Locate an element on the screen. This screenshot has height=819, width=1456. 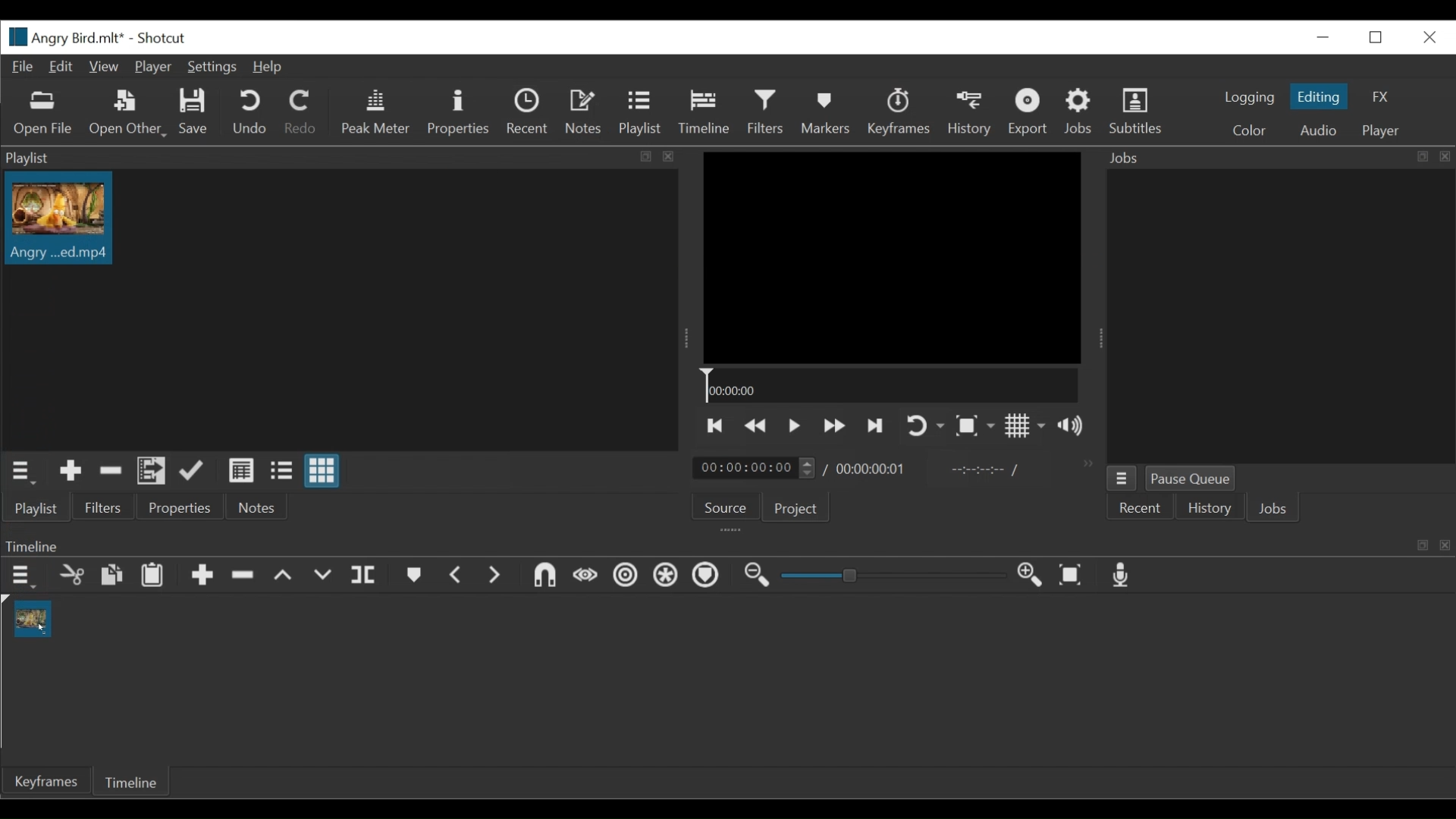
Export is located at coordinates (1029, 113).